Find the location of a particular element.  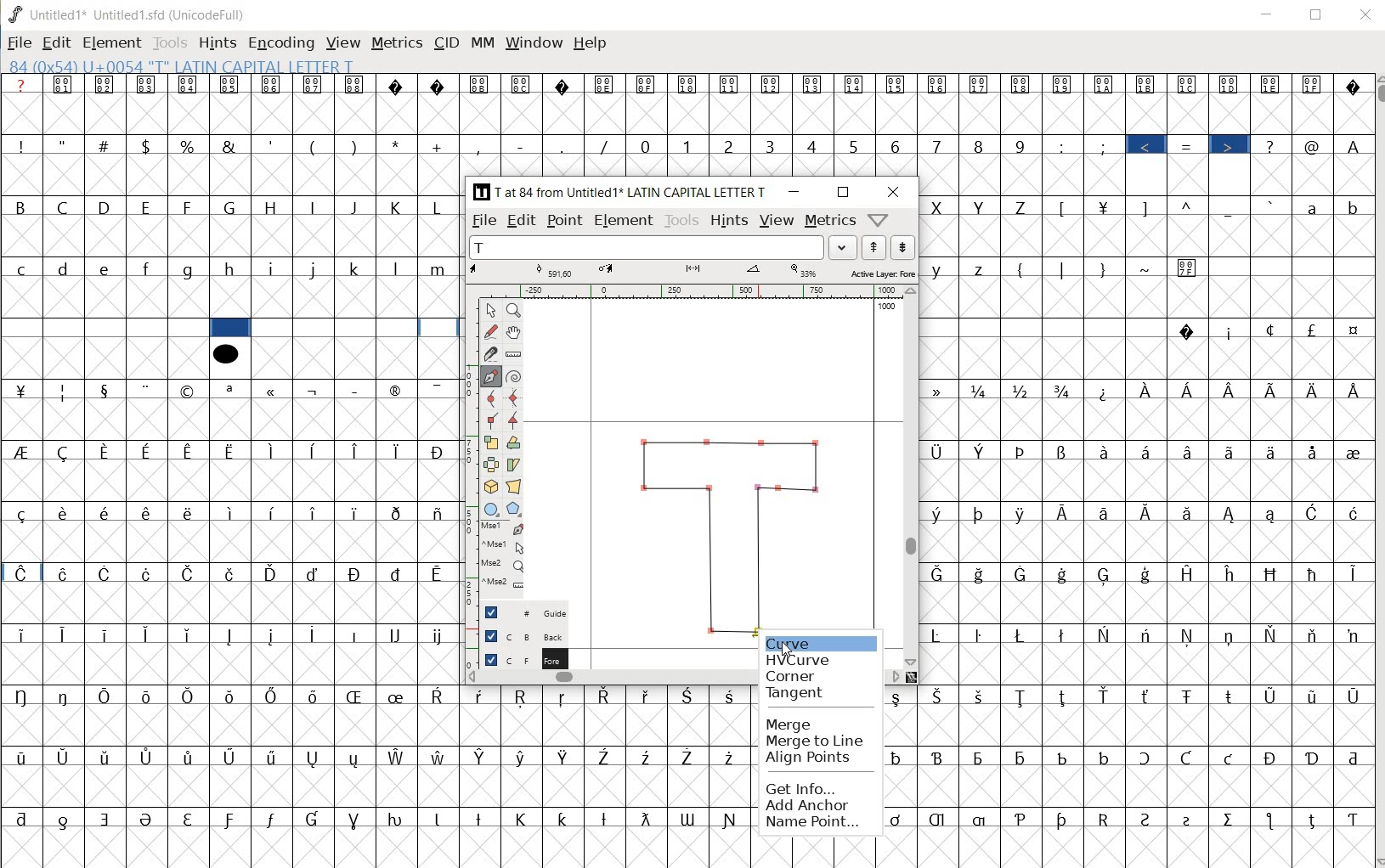

Symbol is located at coordinates (647, 84).